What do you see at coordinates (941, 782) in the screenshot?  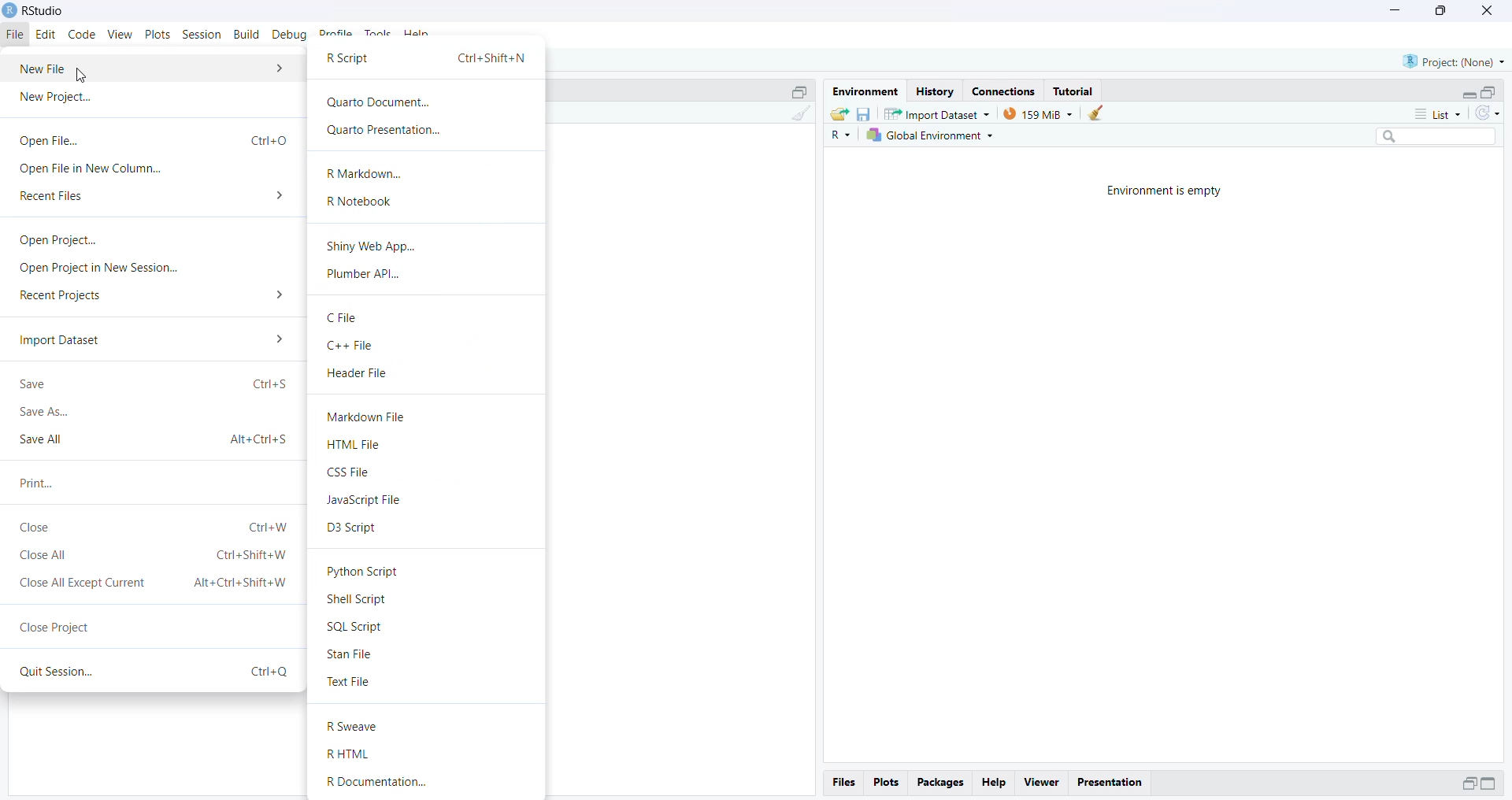 I see `packages` at bounding box center [941, 782].